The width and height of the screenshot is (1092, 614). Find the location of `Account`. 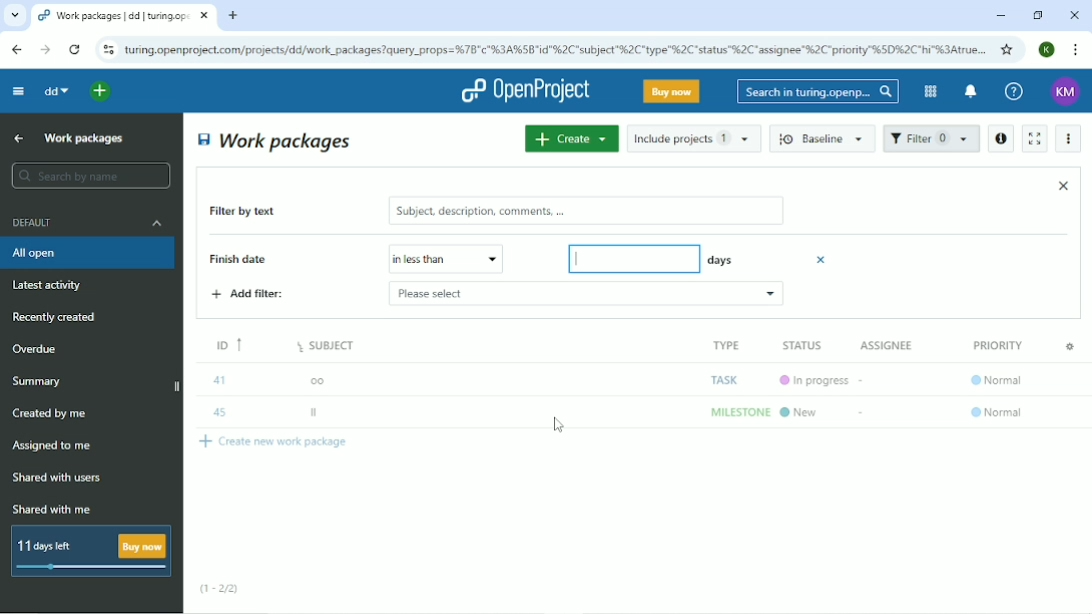

Account is located at coordinates (1066, 92).